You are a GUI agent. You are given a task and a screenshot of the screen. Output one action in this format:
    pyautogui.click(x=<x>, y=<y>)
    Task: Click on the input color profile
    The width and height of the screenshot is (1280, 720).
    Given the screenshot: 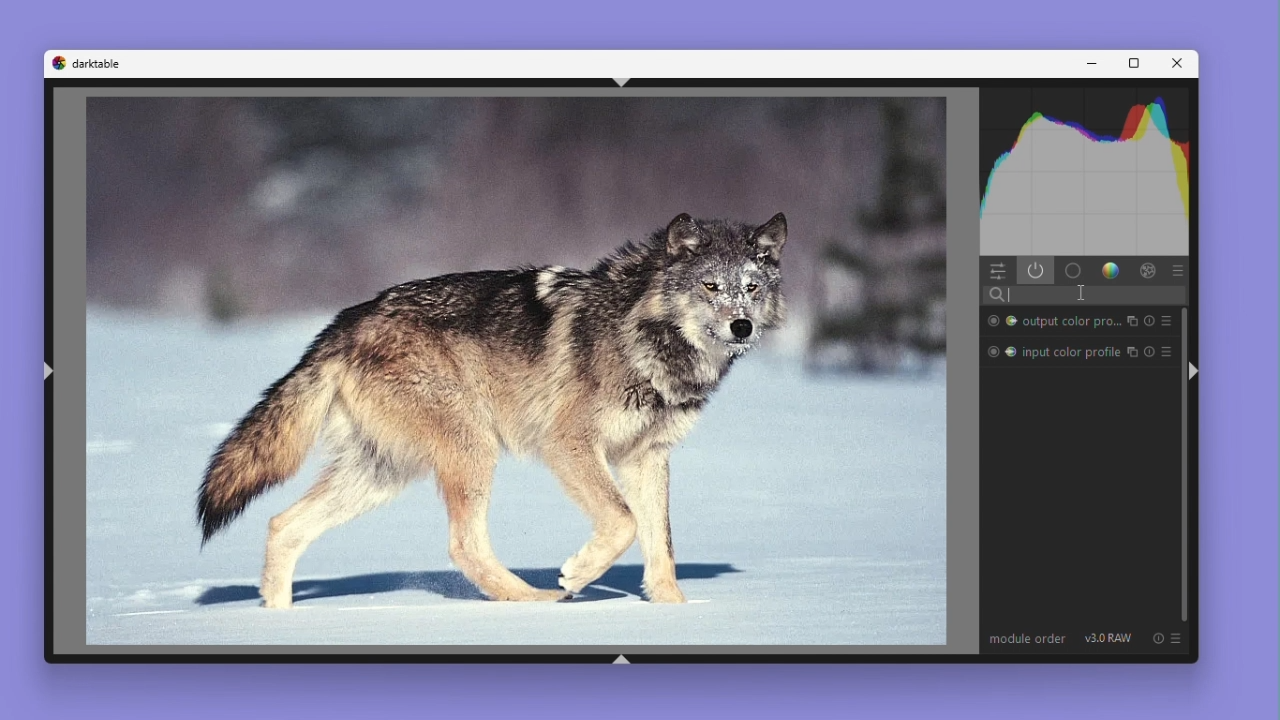 What is the action you would take?
    pyautogui.click(x=1071, y=352)
    